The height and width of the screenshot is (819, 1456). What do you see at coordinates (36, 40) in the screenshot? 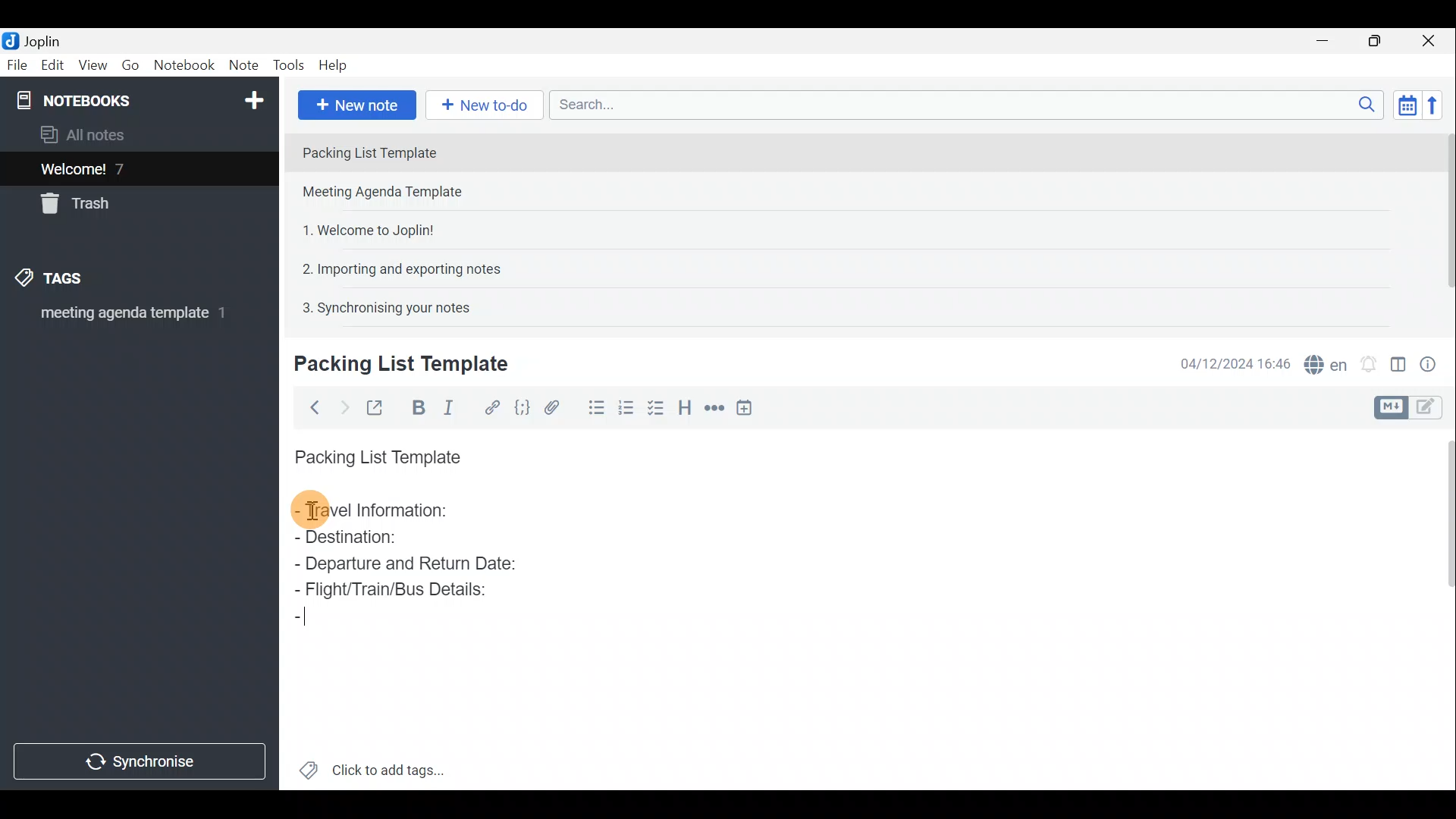
I see `Joplin` at bounding box center [36, 40].